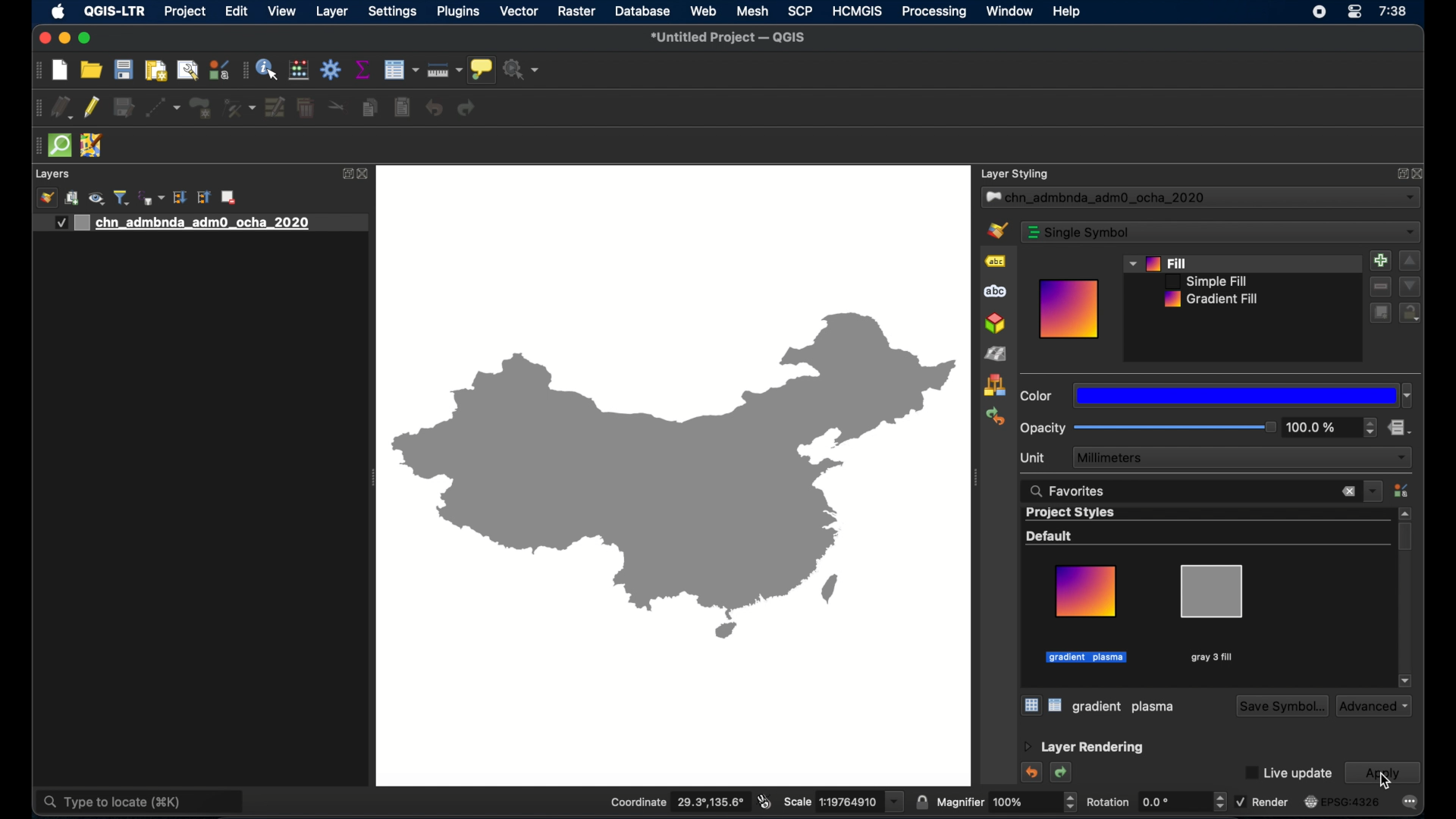 Image resolution: width=1456 pixels, height=819 pixels. What do you see at coordinates (401, 70) in the screenshot?
I see `open attribute table` at bounding box center [401, 70].